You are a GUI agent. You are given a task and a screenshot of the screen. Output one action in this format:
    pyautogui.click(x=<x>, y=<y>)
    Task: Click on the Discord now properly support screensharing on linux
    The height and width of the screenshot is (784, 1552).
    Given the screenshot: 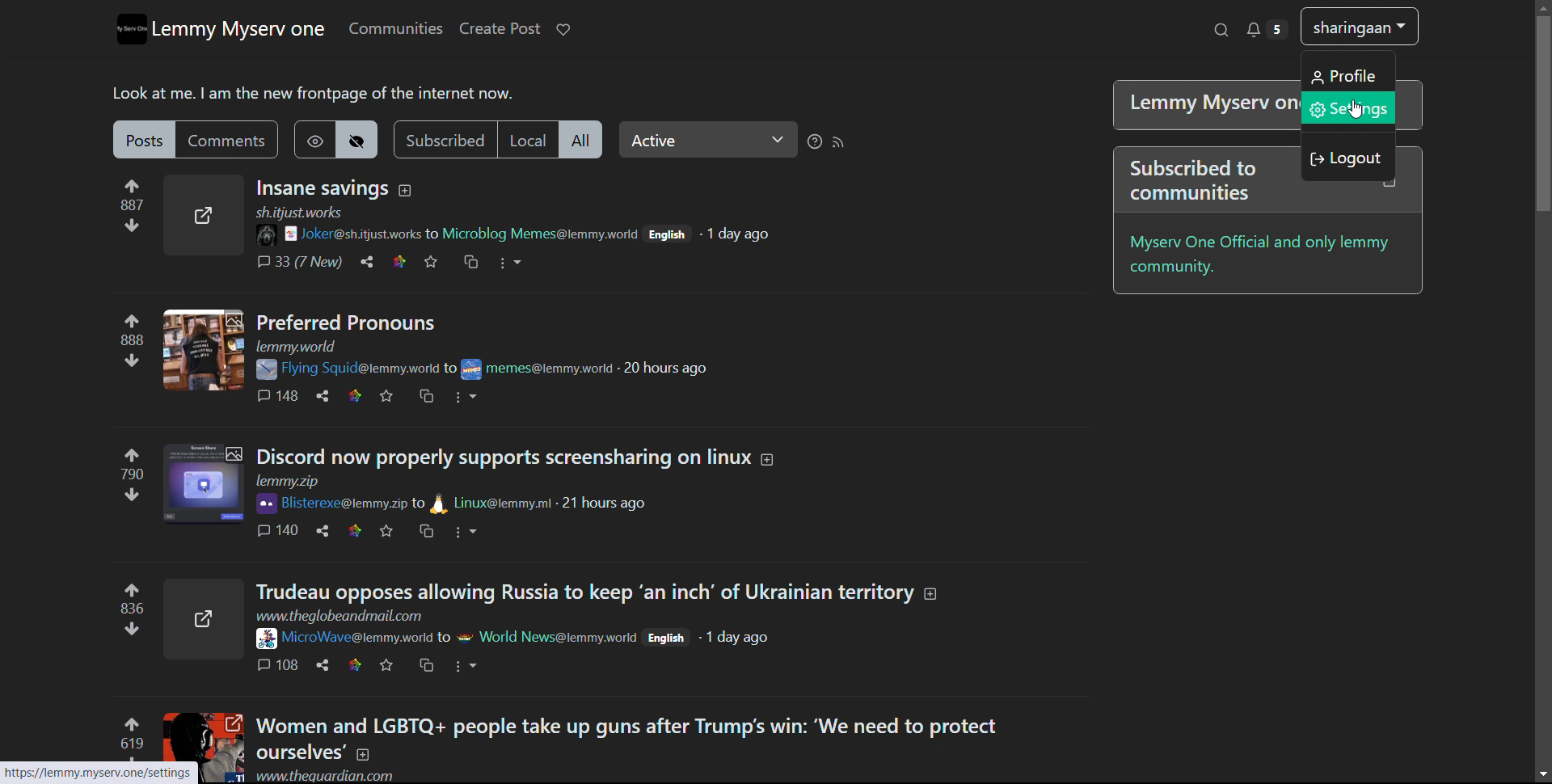 What is the action you would take?
    pyautogui.click(x=502, y=457)
    